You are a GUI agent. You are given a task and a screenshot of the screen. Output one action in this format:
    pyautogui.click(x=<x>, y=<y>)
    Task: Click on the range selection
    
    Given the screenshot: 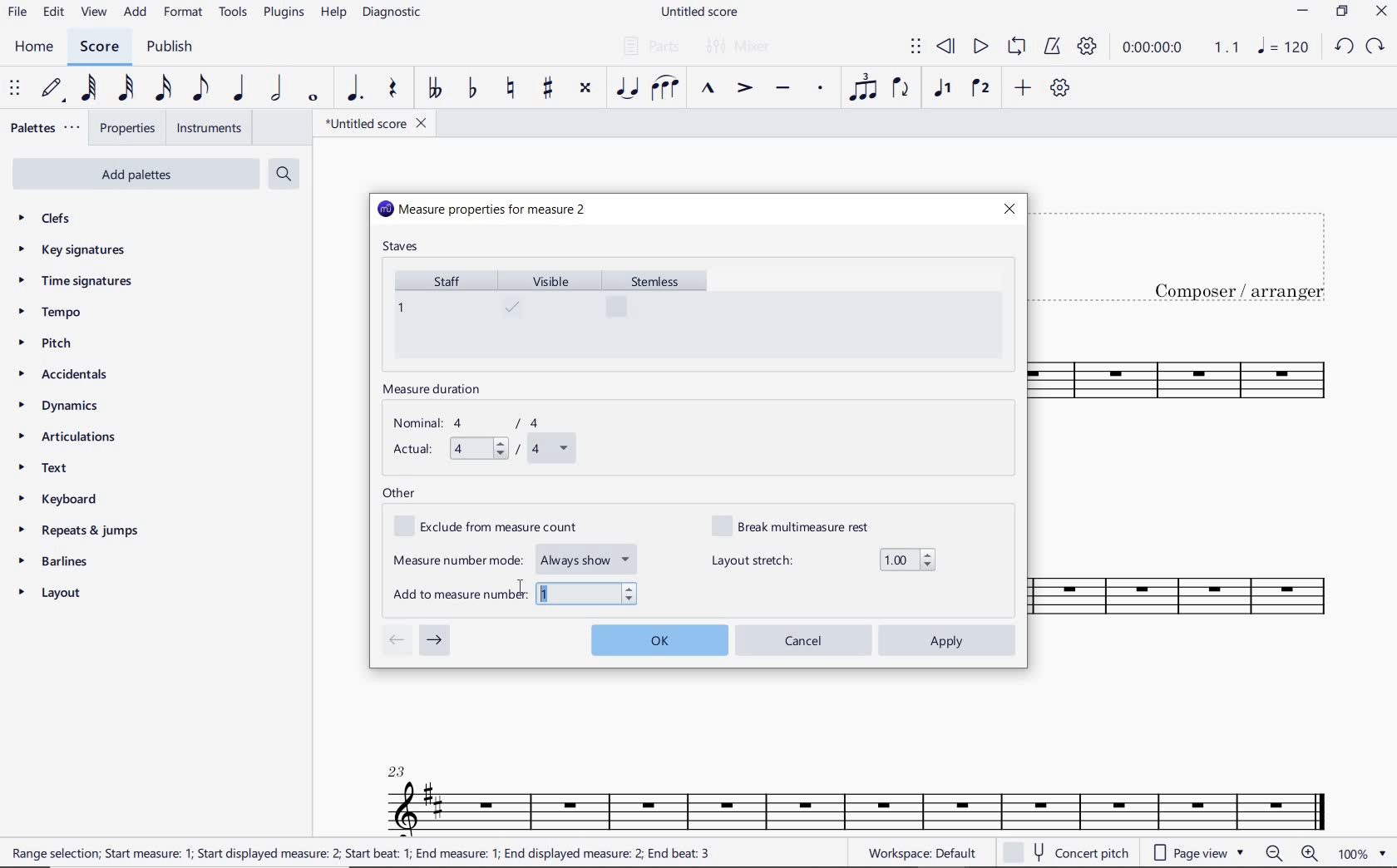 What is the action you would take?
    pyautogui.click(x=361, y=853)
    